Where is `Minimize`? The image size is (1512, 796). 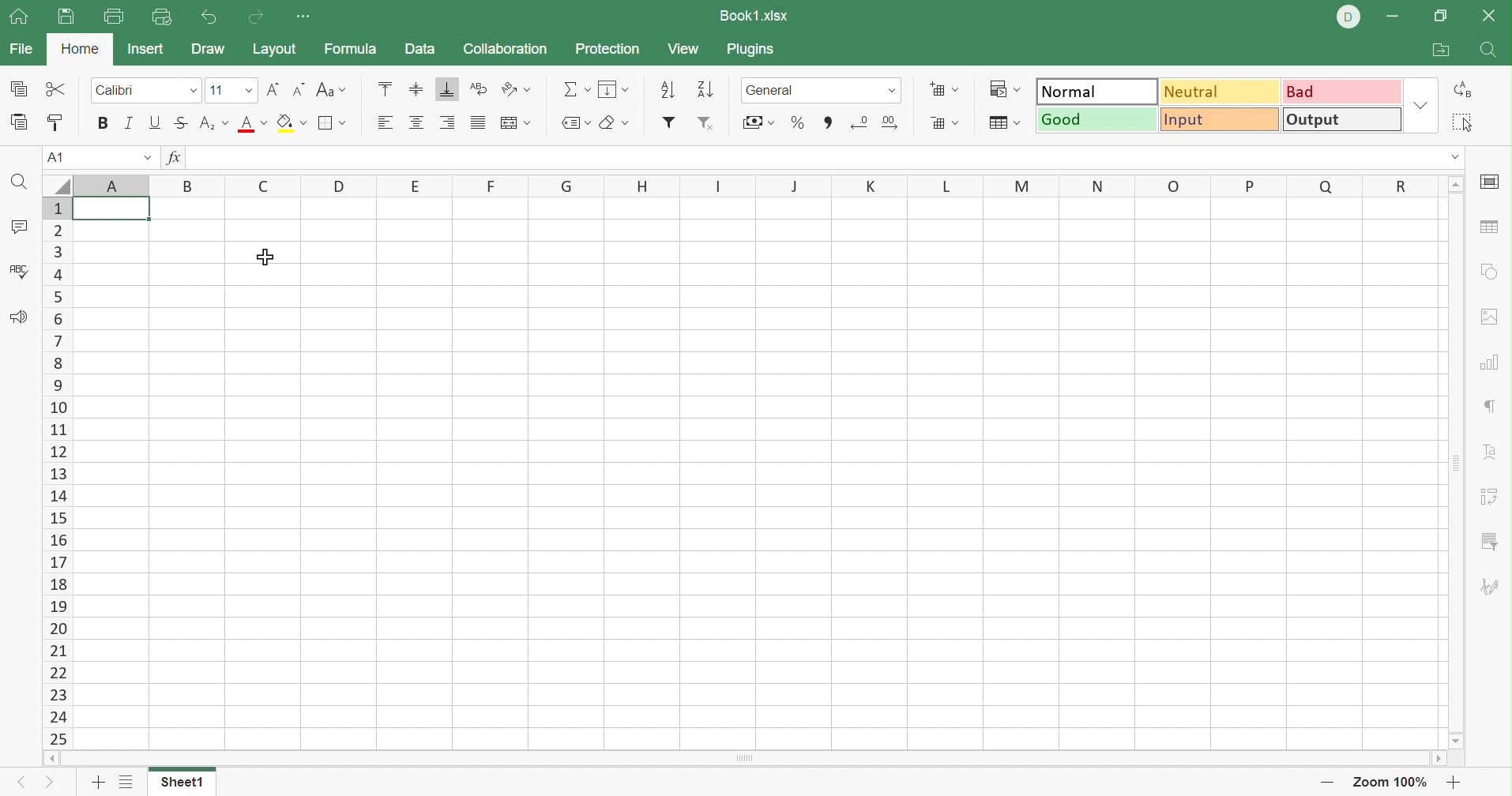
Minimize is located at coordinates (1393, 18).